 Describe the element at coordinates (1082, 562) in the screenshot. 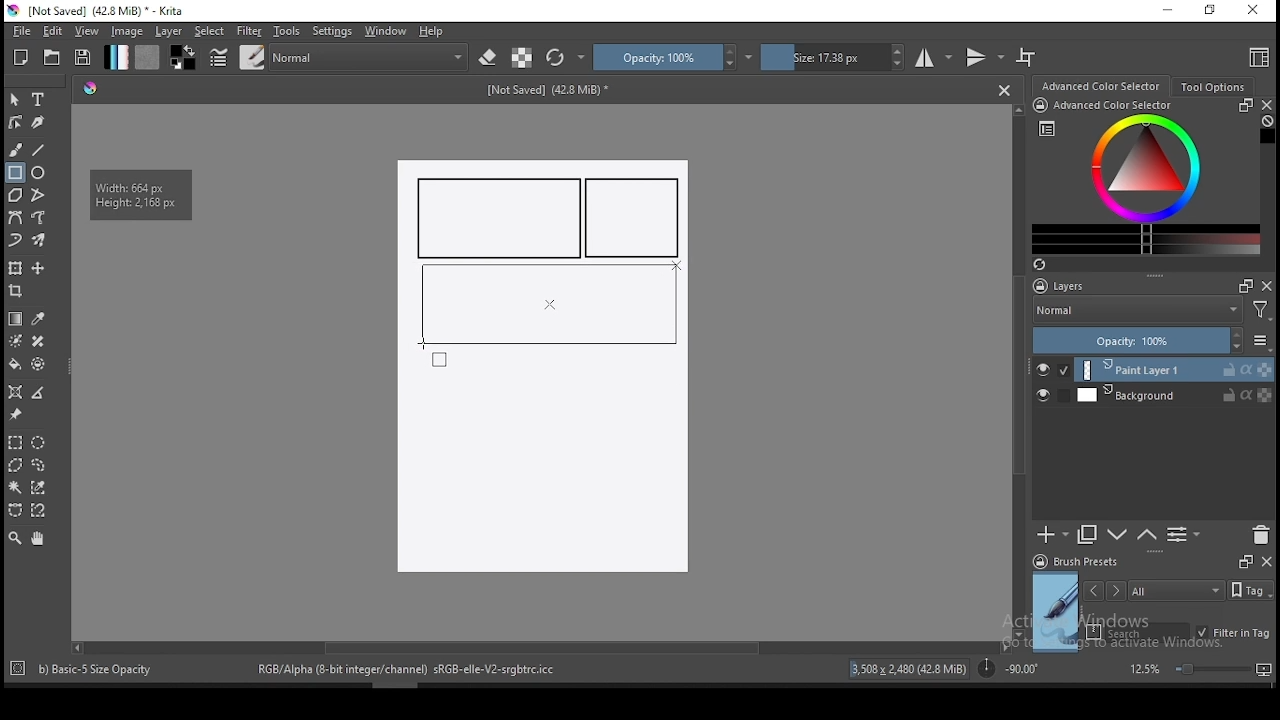

I see `brush presets` at that location.